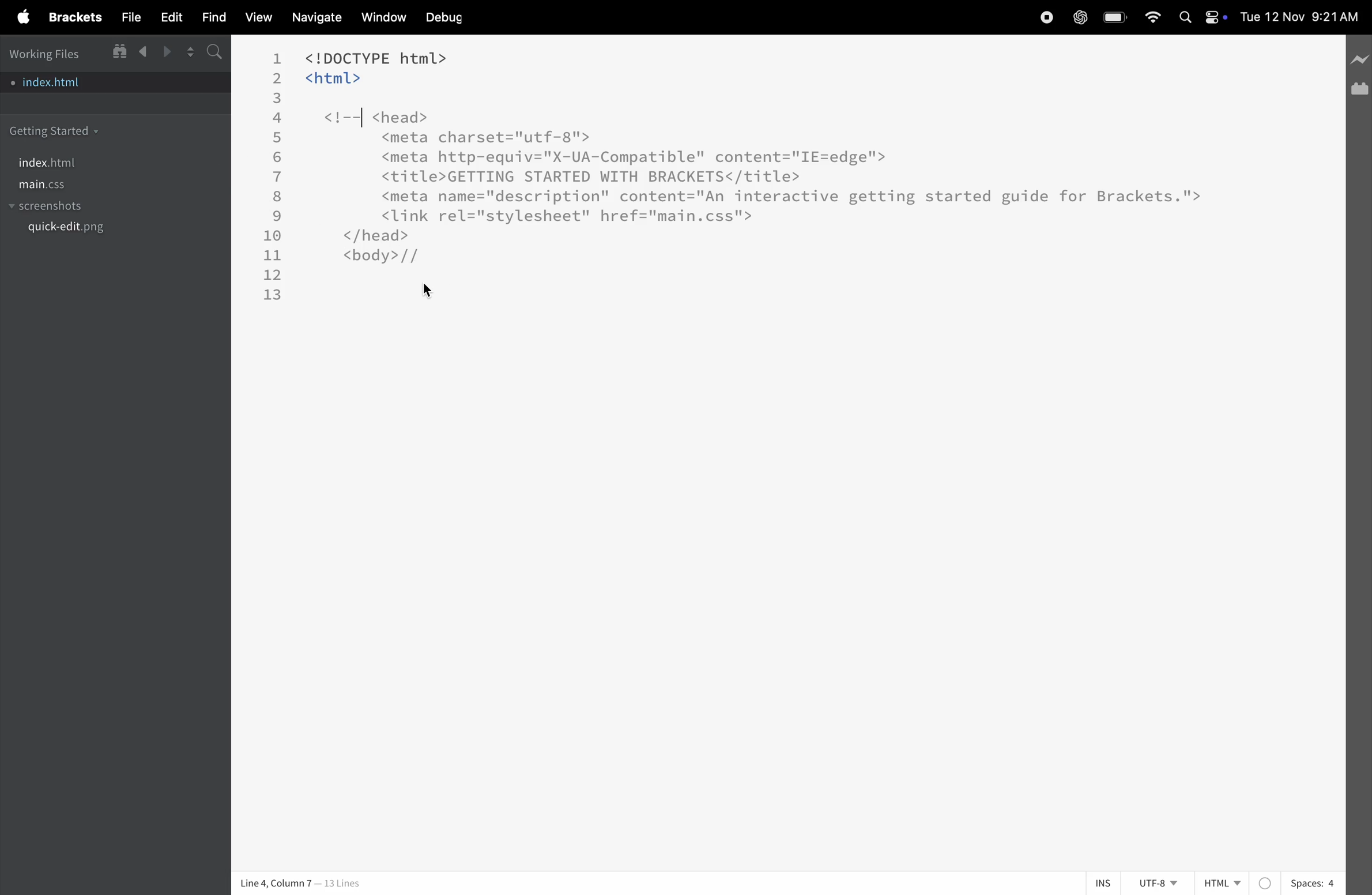 The height and width of the screenshot is (895, 1372). I want to click on chatgpt, so click(1077, 17).